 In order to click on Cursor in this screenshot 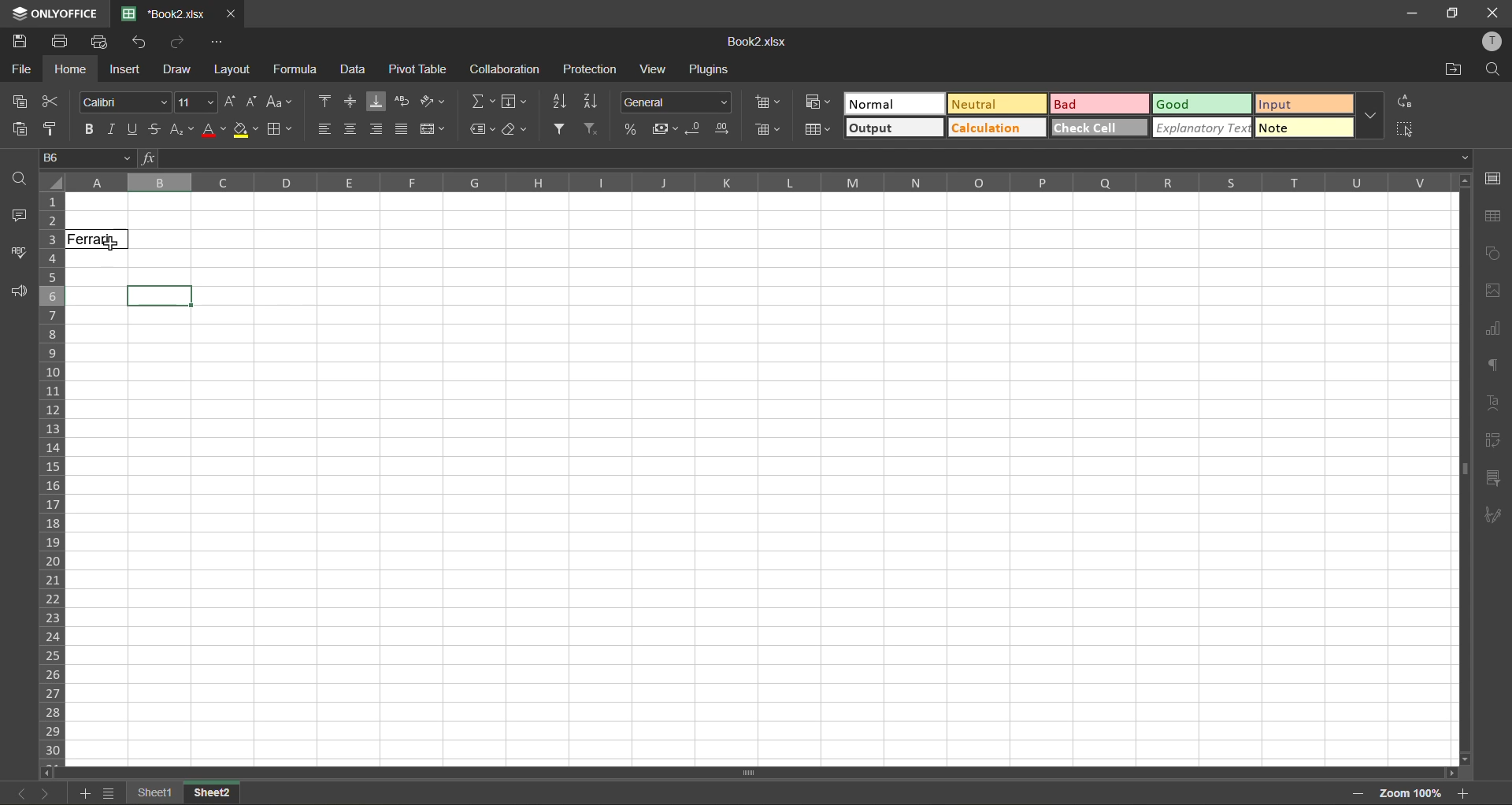, I will do `click(110, 244)`.